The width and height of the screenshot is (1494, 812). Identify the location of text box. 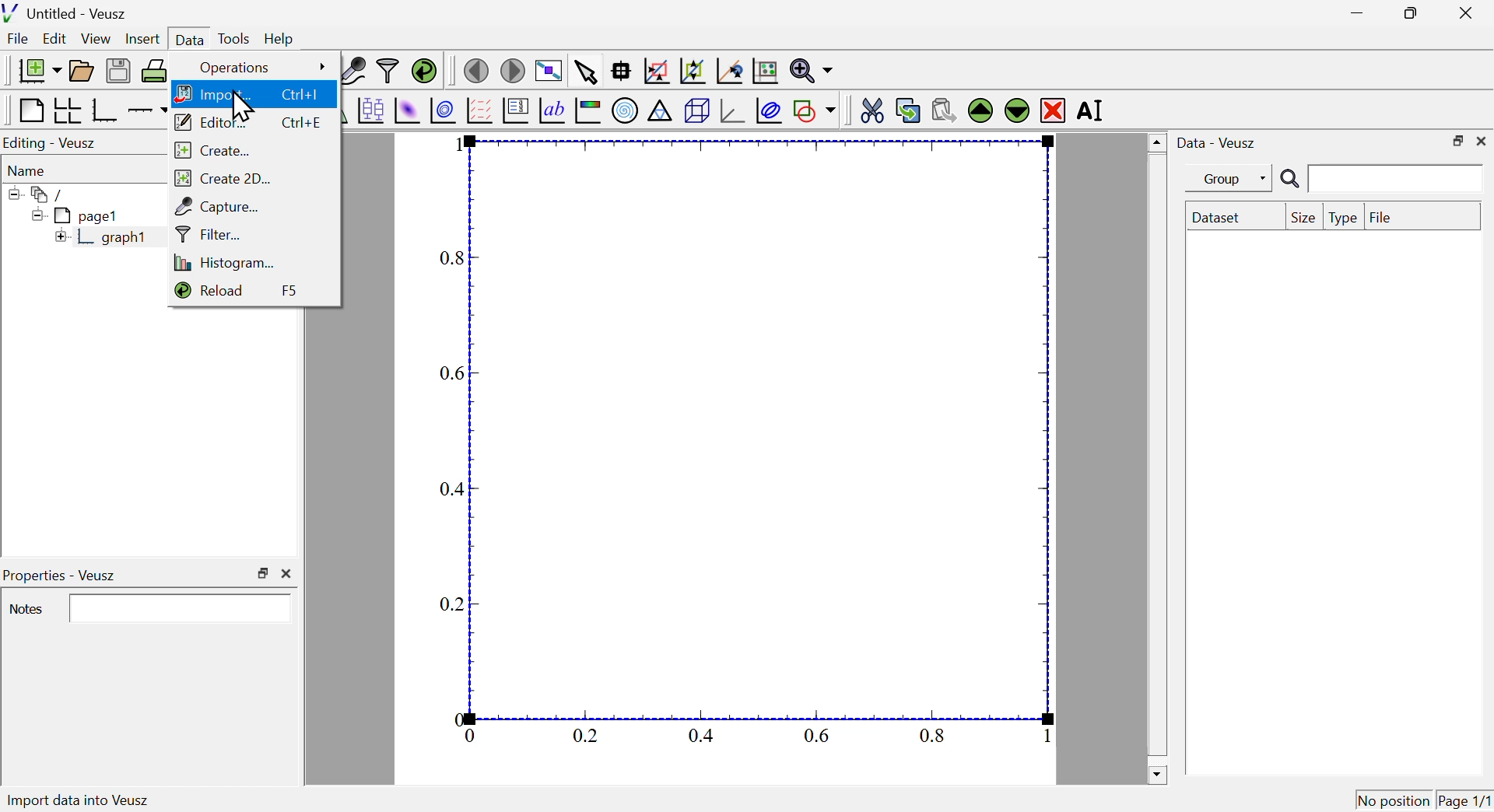
(183, 607).